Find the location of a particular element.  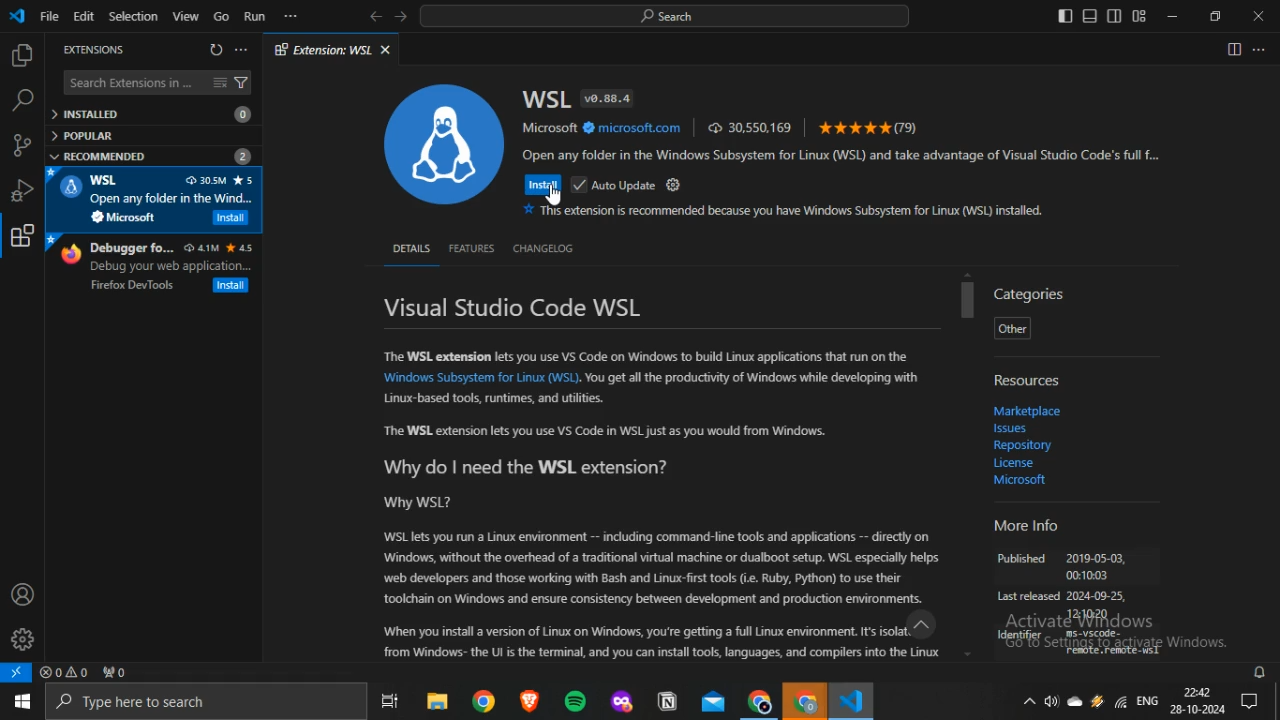

WSL is located at coordinates (70, 187).